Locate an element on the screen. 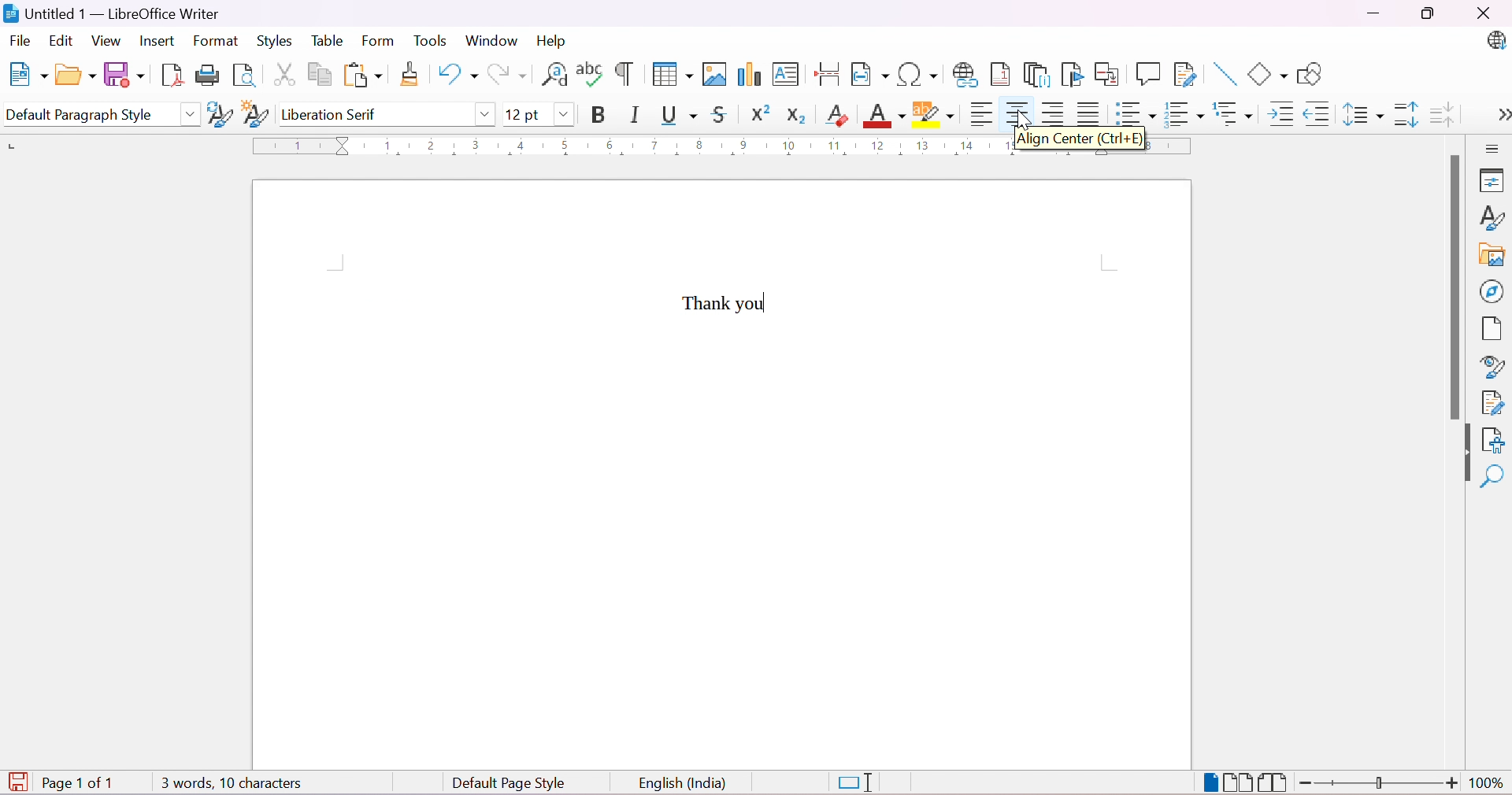 The width and height of the screenshot is (1512, 795). Style Inspector is located at coordinates (1488, 368).